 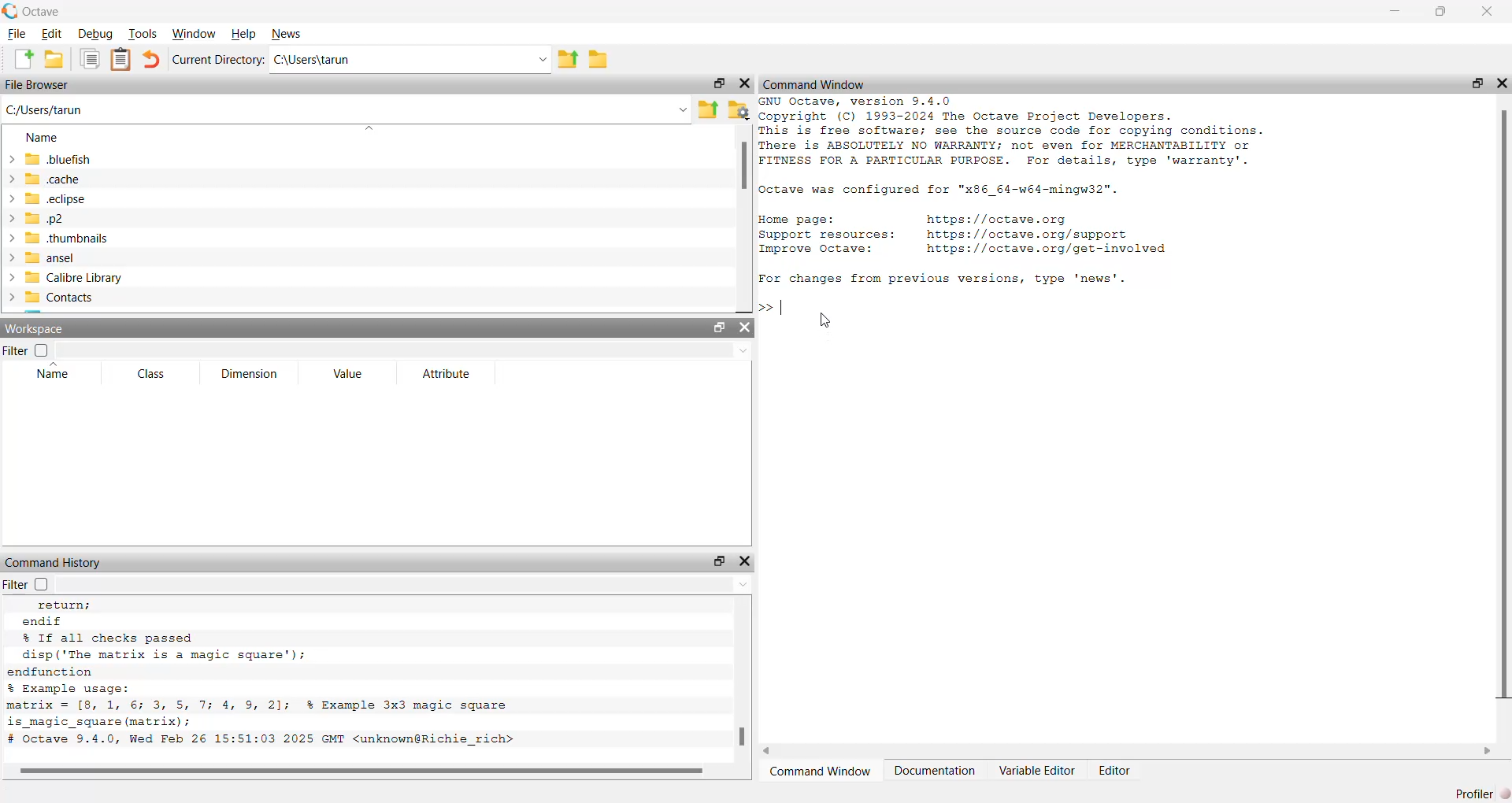 I want to click on dropdown, so click(x=740, y=584).